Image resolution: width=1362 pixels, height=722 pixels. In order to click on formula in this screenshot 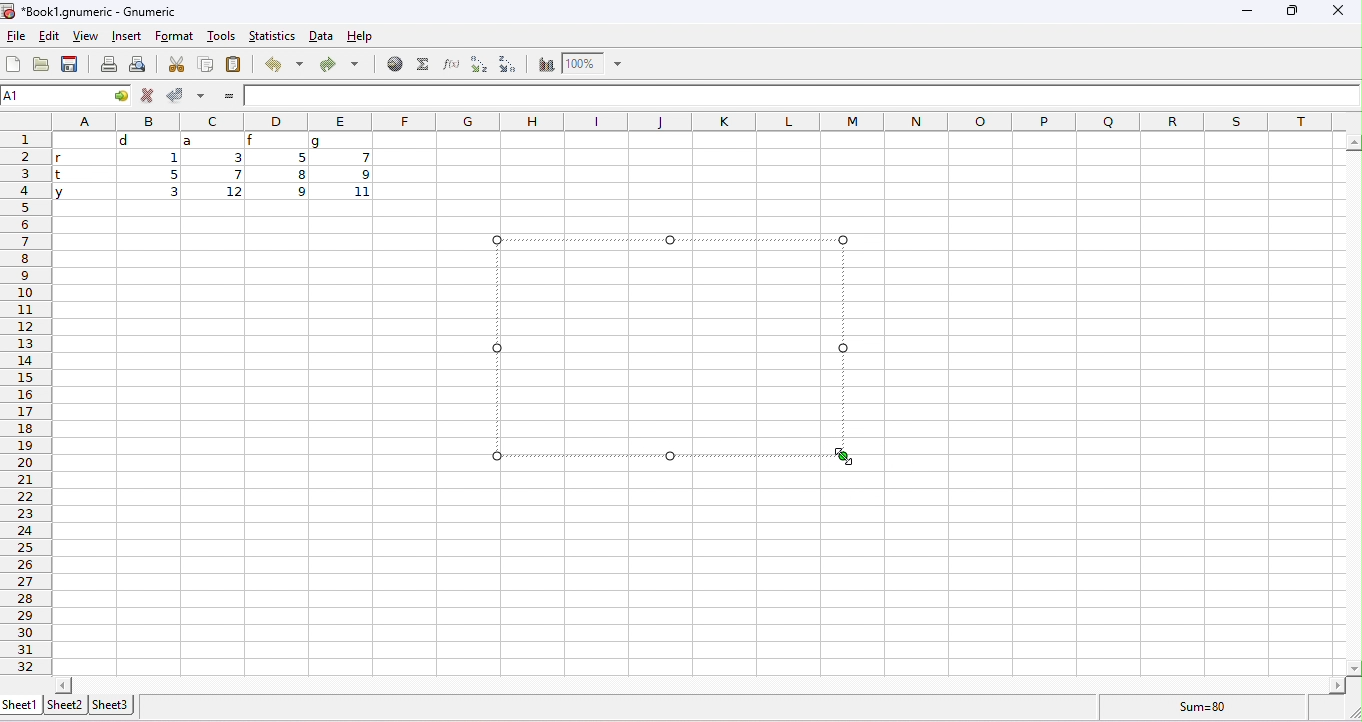, I will do `click(1198, 709)`.